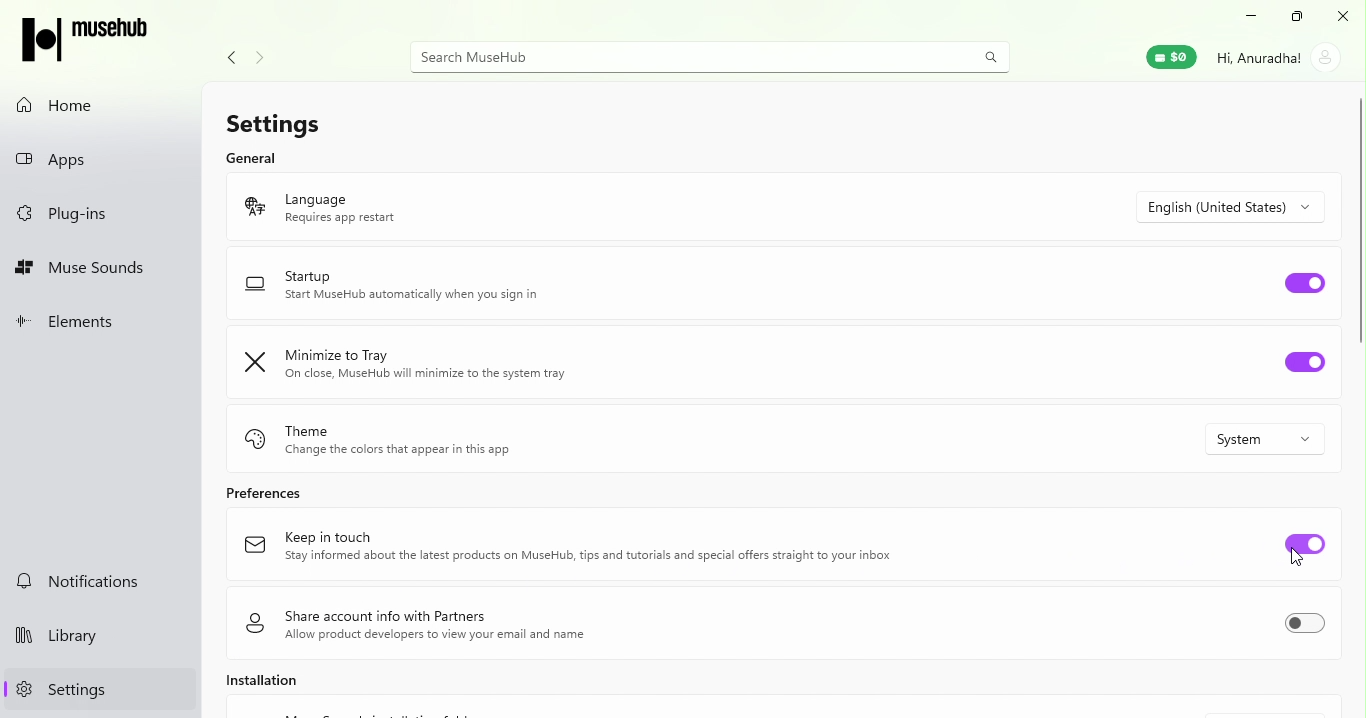 Image resolution: width=1366 pixels, height=718 pixels. Describe the element at coordinates (514, 625) in the screenshot. I see `Share account info with partners` at that location.